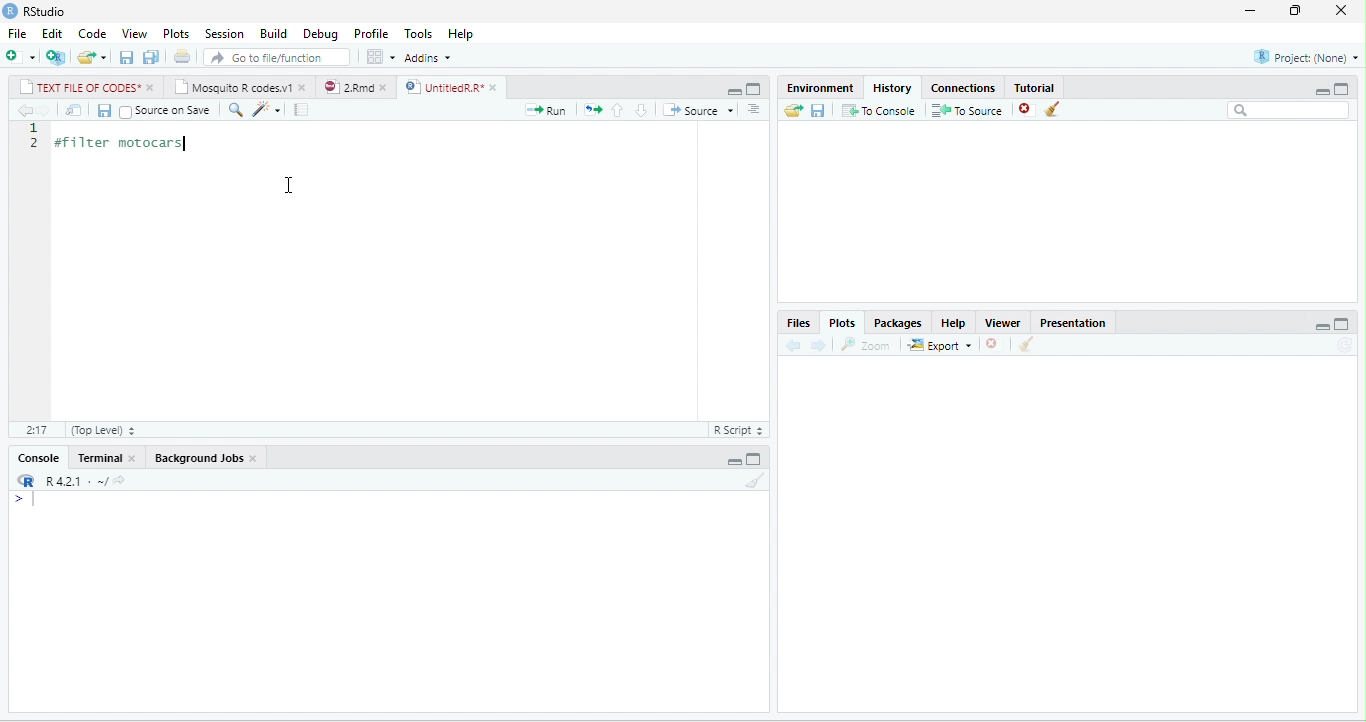  Describe the element at coordinates (301, 109) in the screenshot. I see `compile report` at that location.